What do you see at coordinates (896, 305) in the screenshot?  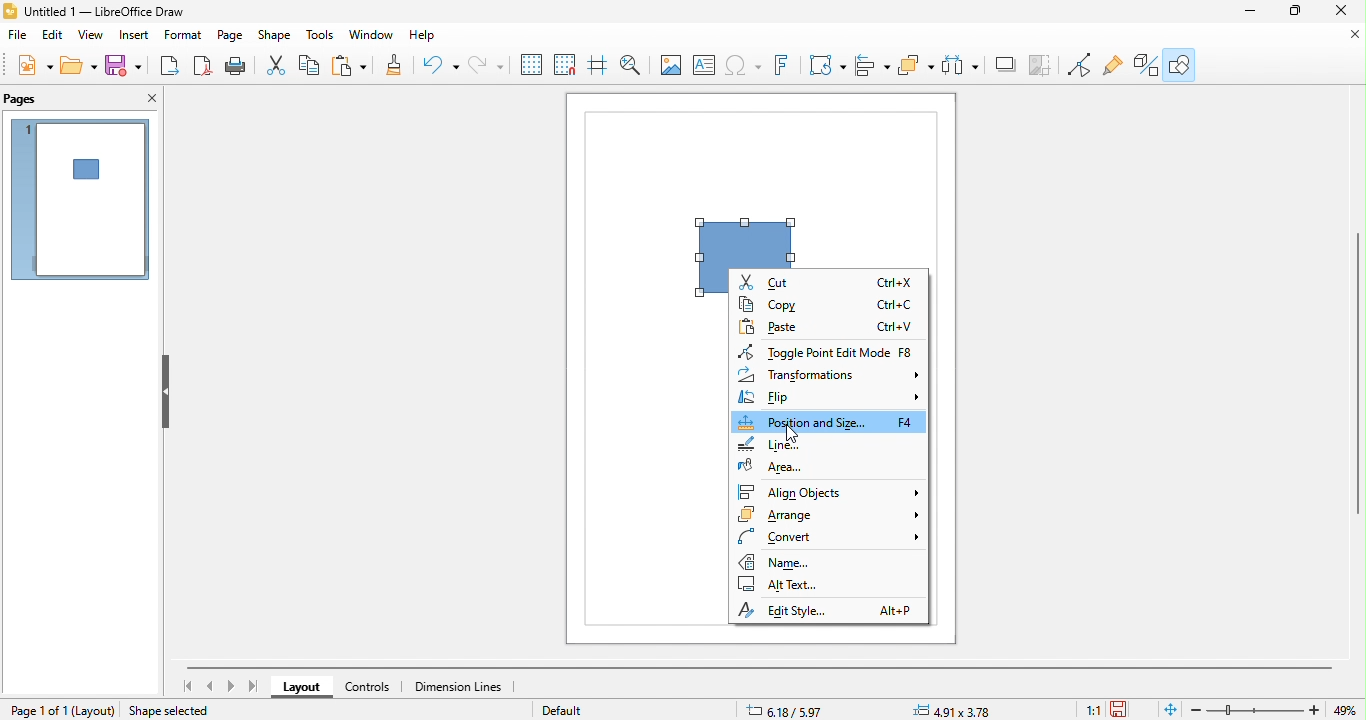 I see `Shortcut key` at bounding box center [896, 305].